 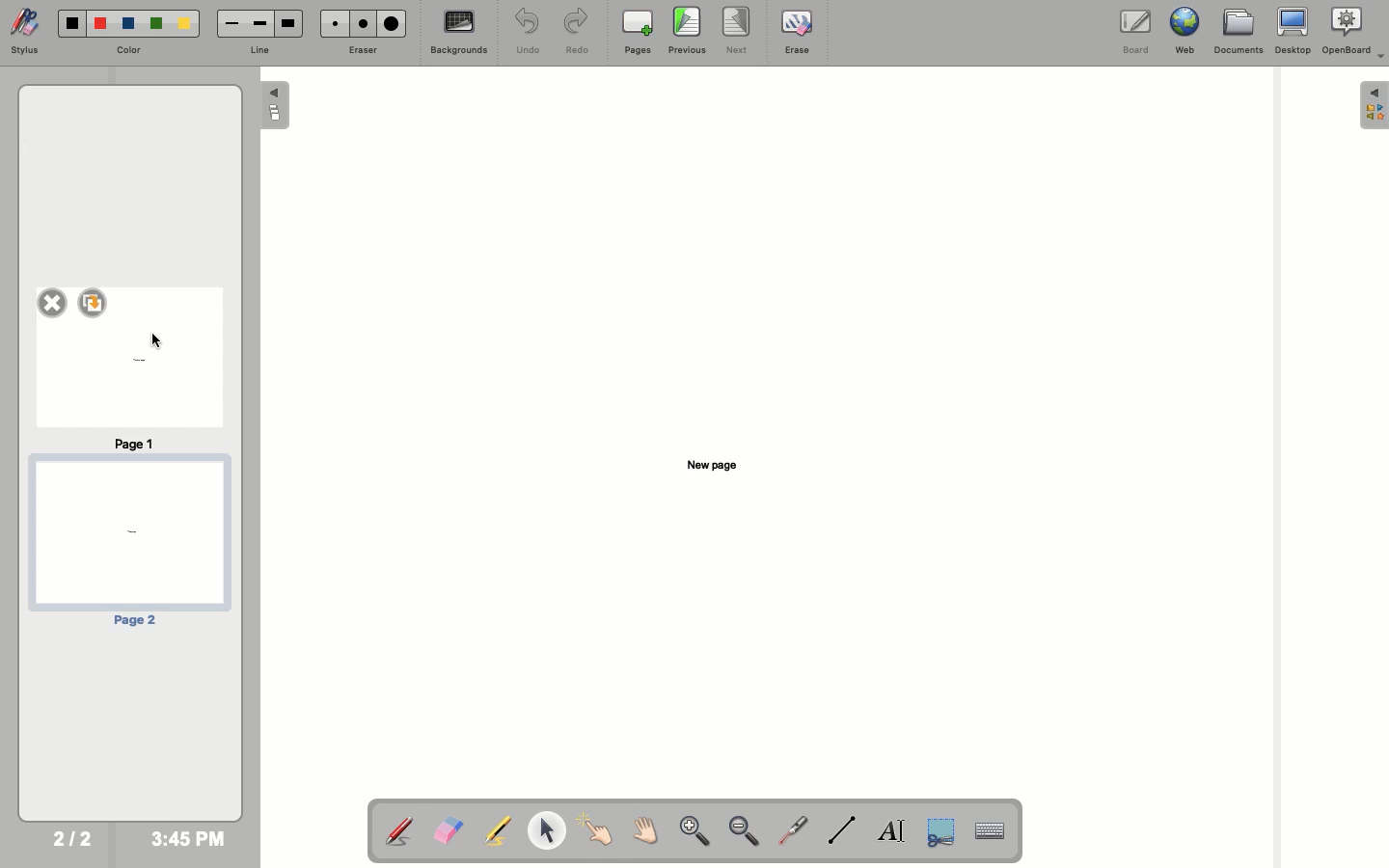 What do you see at coordinates (184, 24) in the screenshot?
I see `Color 5` at bounding box center [184, 24].